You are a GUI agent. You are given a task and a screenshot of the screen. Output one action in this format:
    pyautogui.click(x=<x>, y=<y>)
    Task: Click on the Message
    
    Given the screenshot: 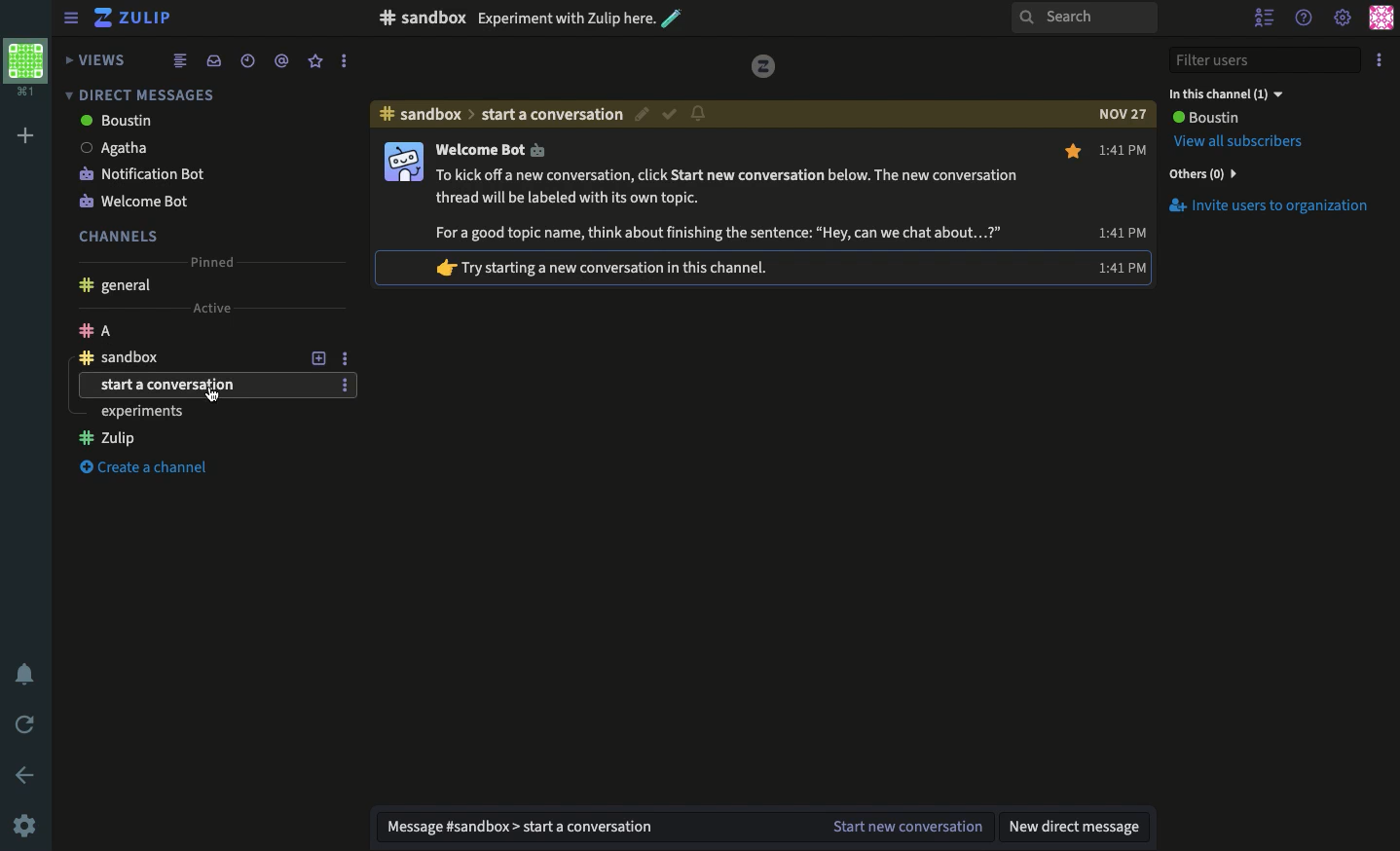 What is the action you would take?
    pyautogui.click(x=588, y=828)
    